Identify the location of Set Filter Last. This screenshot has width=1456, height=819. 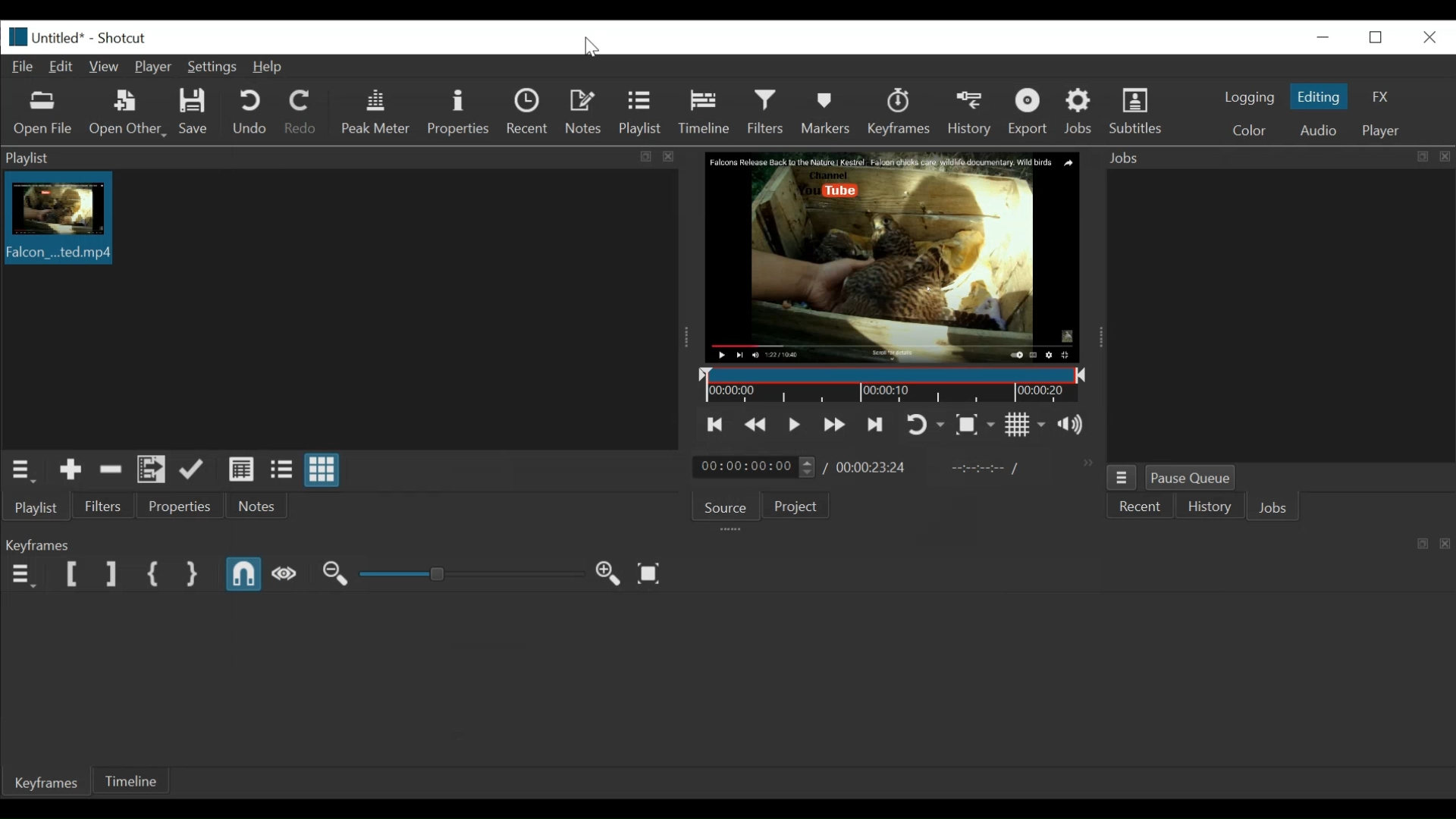
(111, 573).